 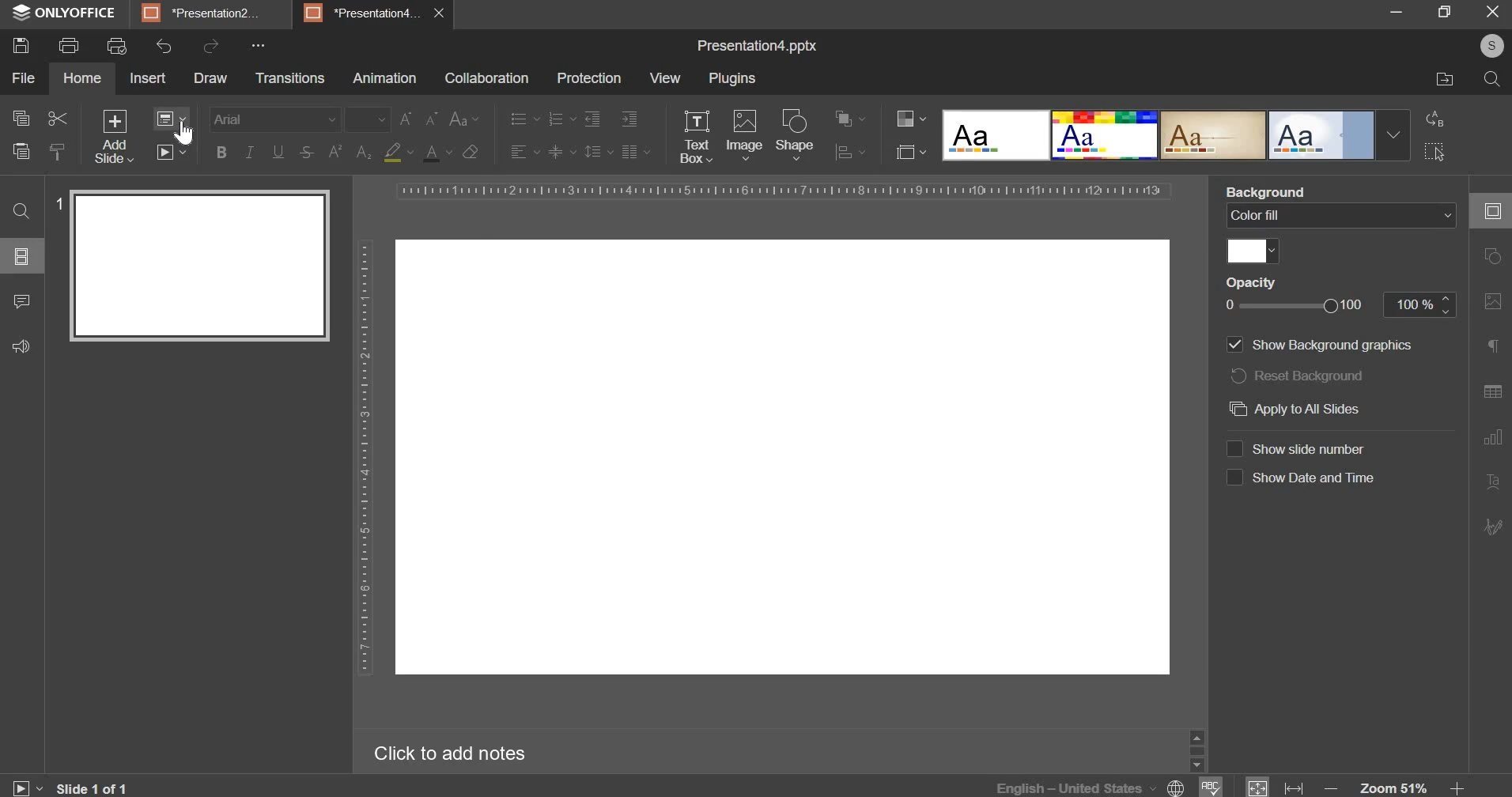 What do you see at coordinates (634, 150) in the screenshot?
I see `paragraph setting` at bounding box center [634, 150].